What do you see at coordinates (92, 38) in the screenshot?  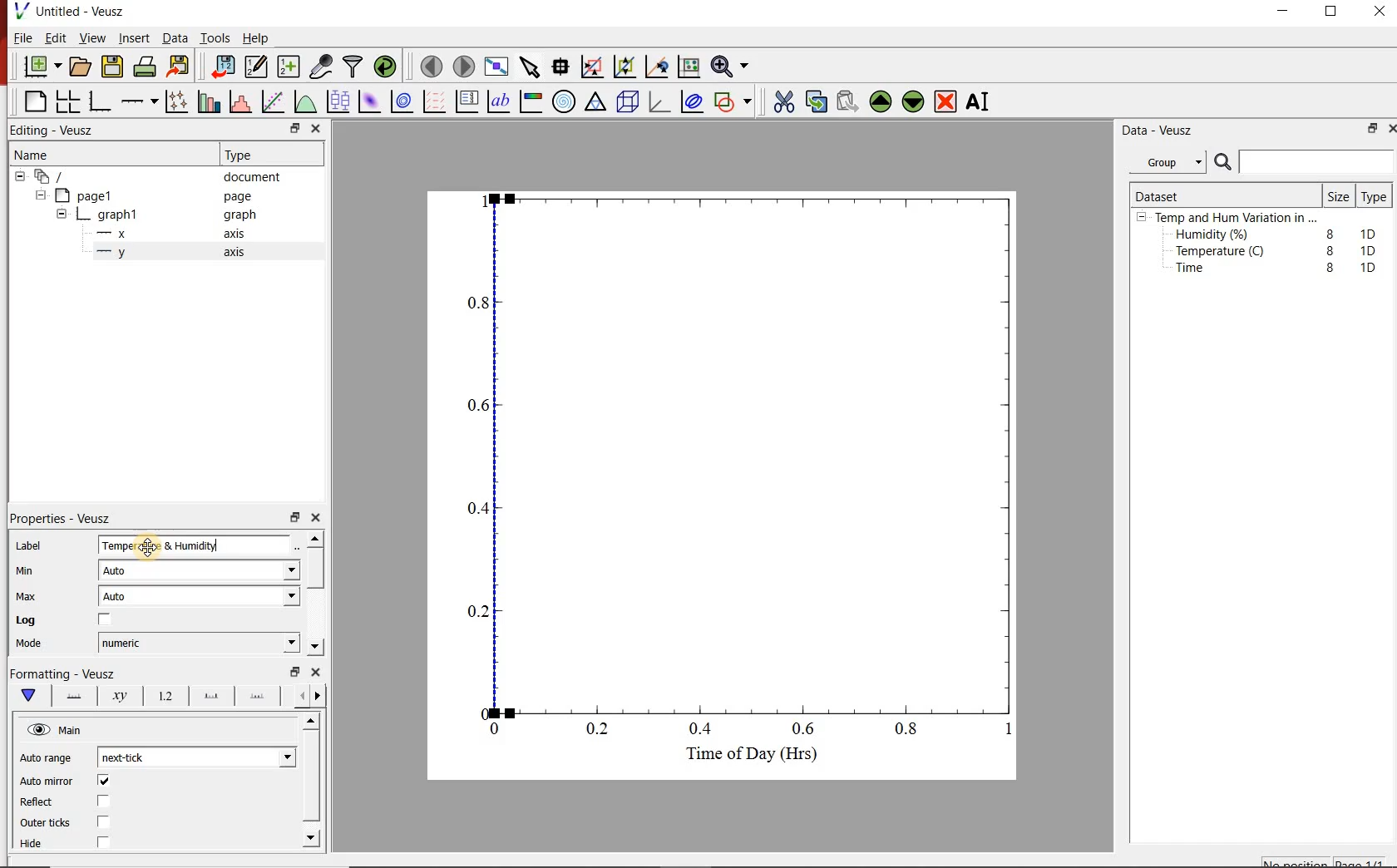 I see `View` at bounding box center [92, 38].